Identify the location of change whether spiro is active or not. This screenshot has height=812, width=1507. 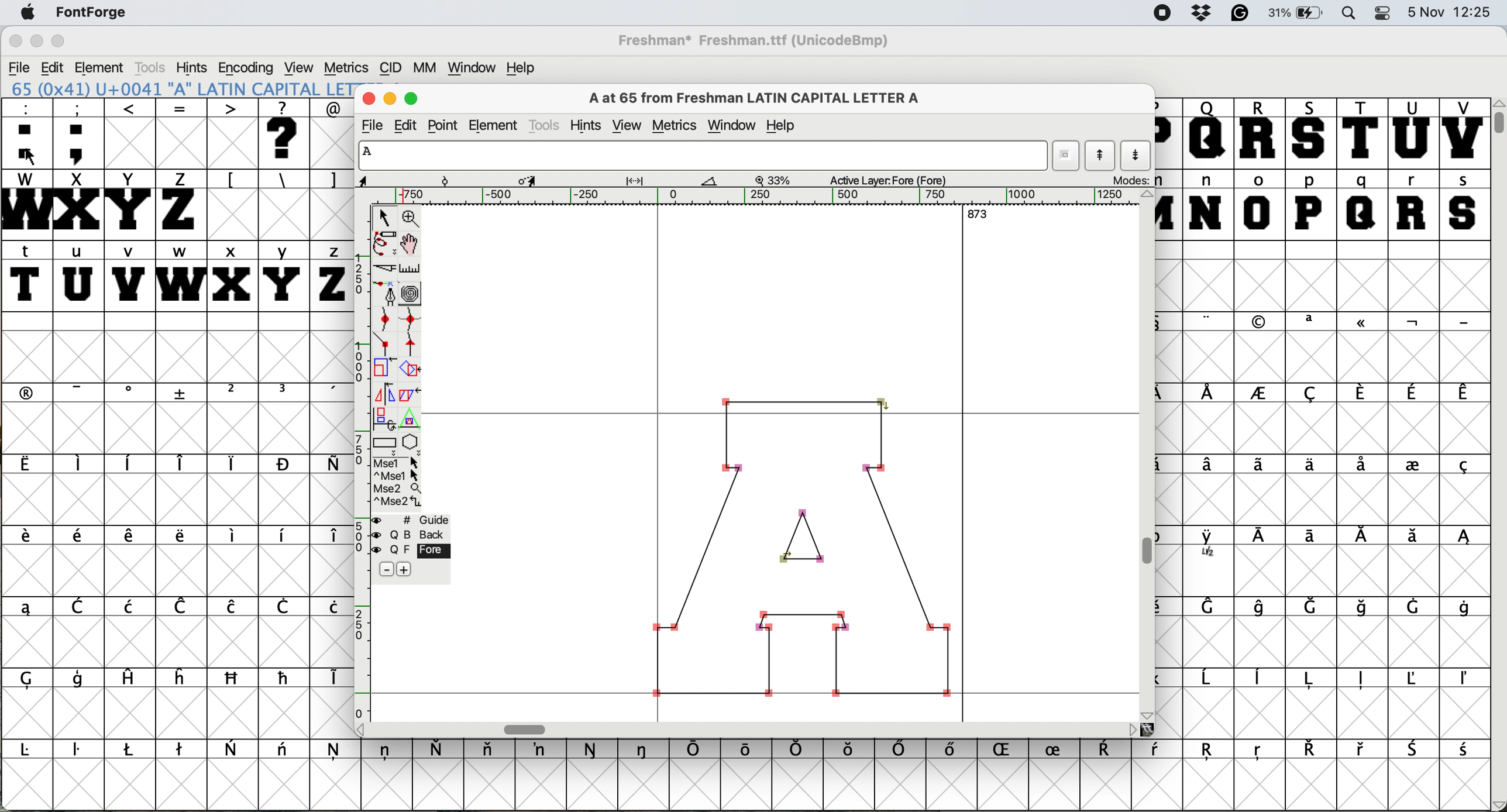
(413, 294).